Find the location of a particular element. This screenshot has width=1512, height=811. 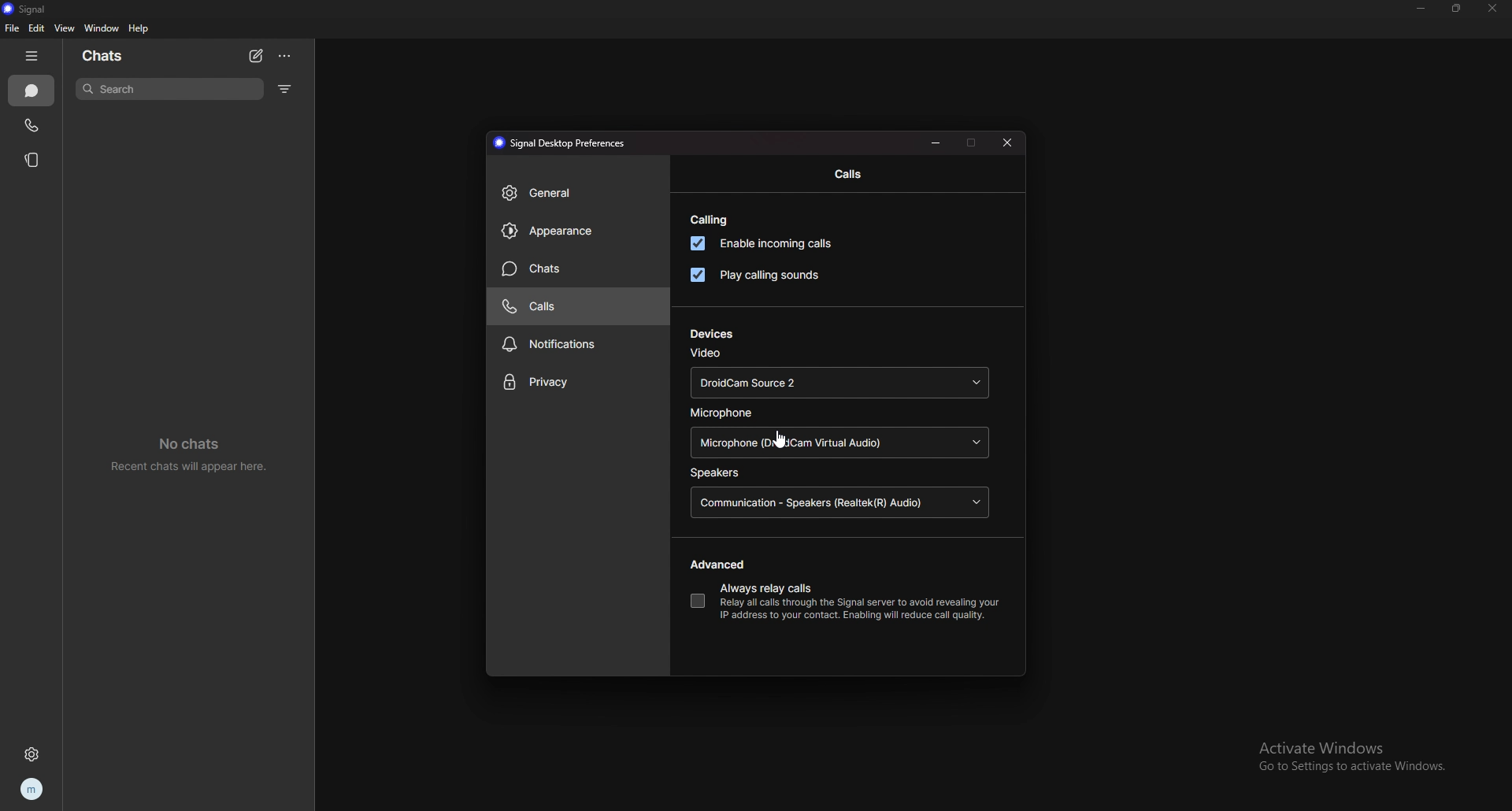

maximize is located at coordinates (972, 142).